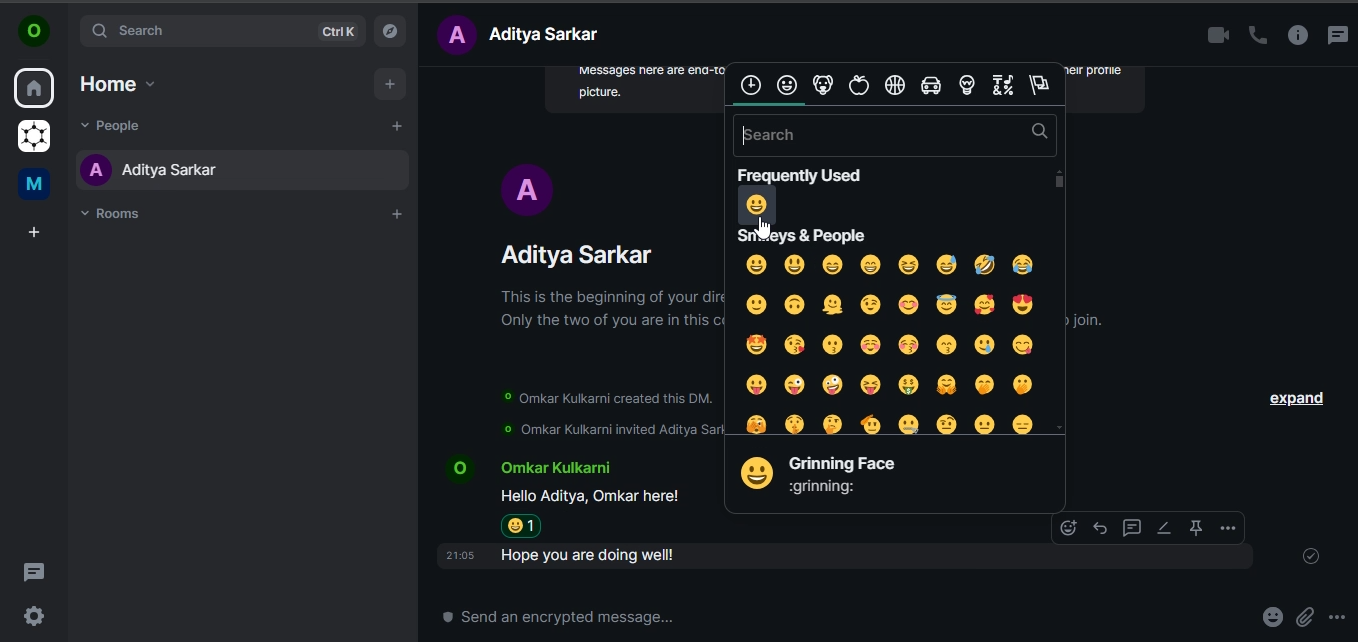 This screenshot has width=1358, height=642. Describe the element at coordinates (397, 125) in the screenshot. I see `start chat` at that location.